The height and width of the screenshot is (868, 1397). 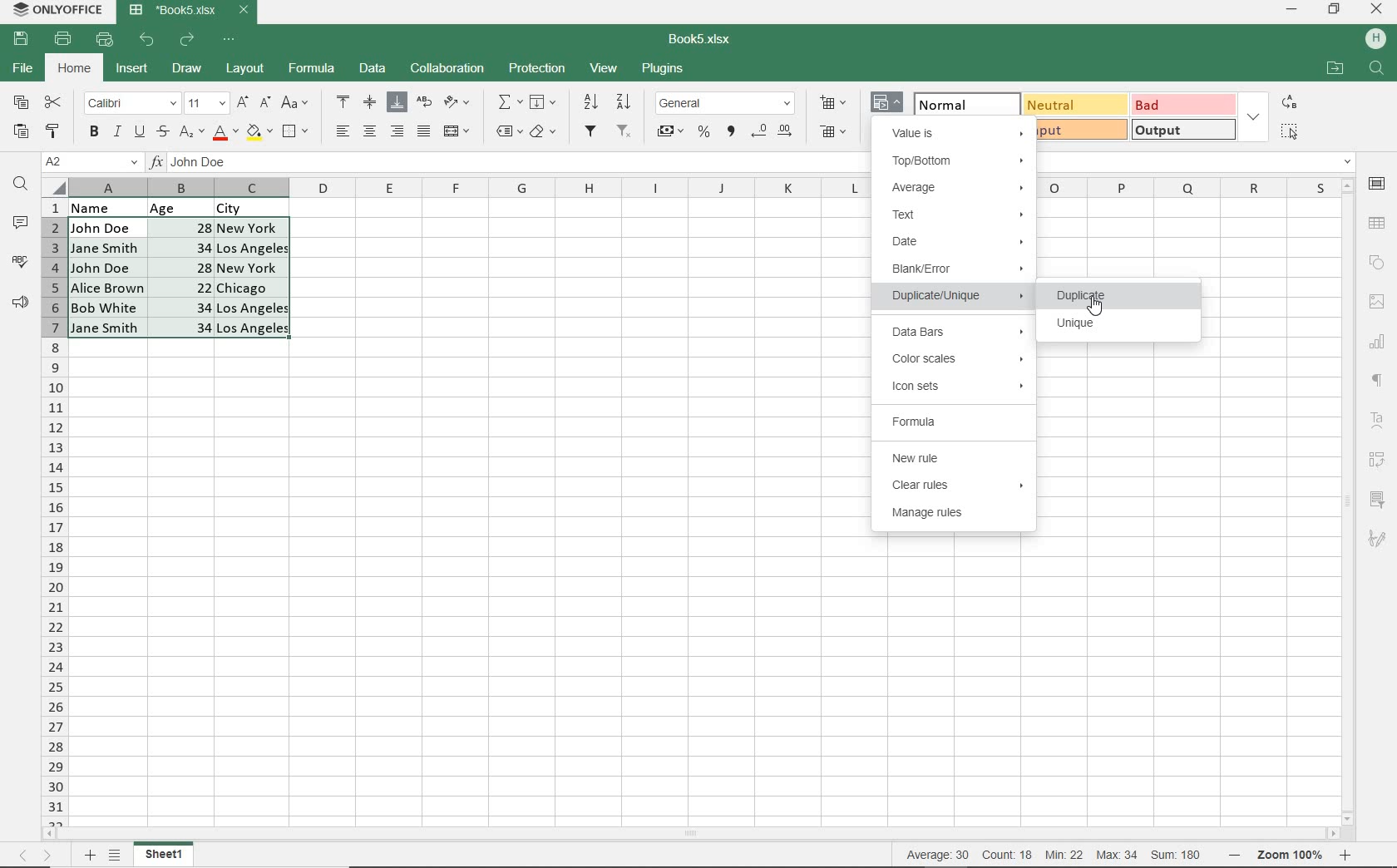 I want to click on DATA, so click(x=373, y=70).